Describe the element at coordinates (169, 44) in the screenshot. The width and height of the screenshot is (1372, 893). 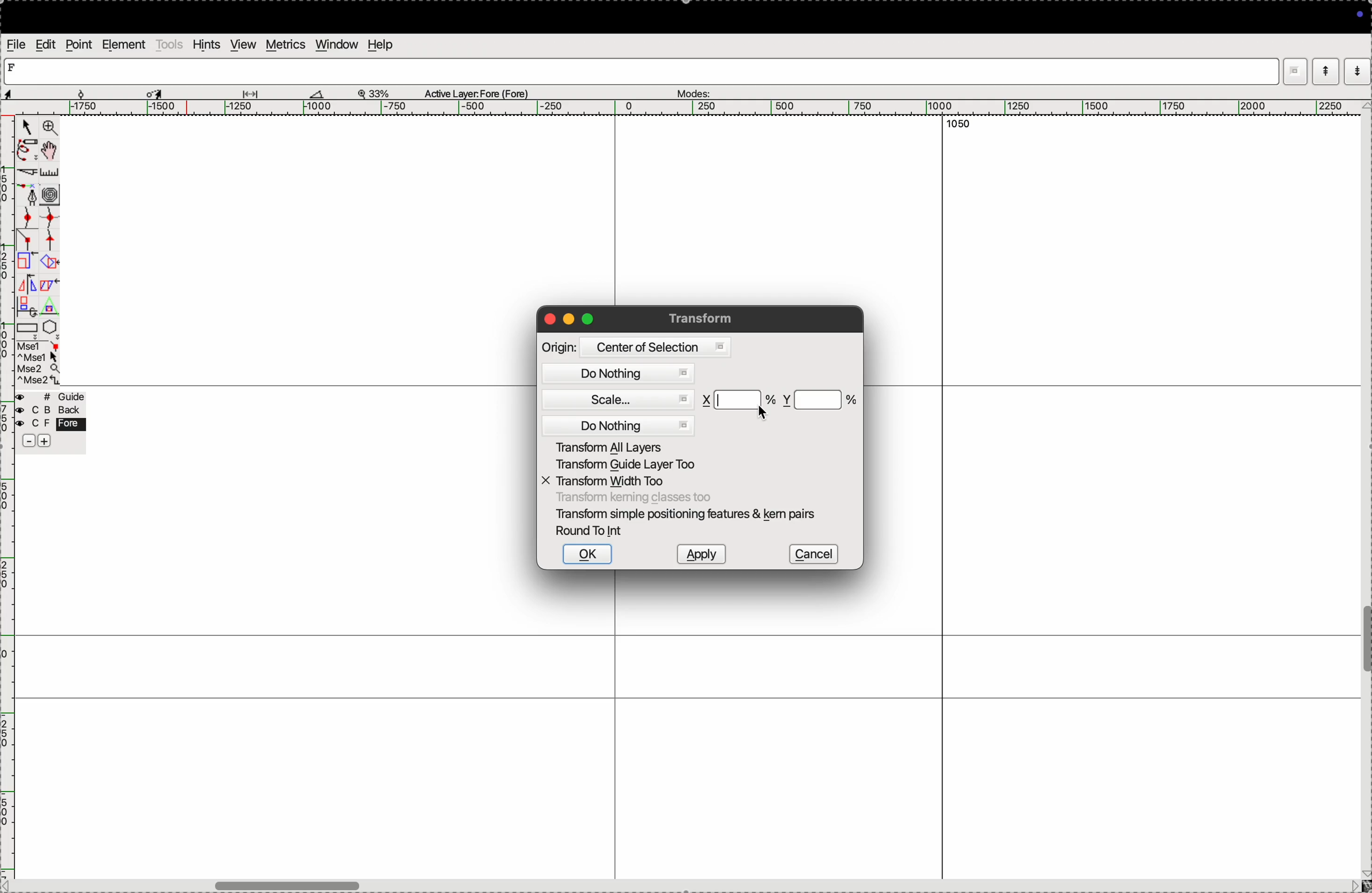
I see `tools` at that location.